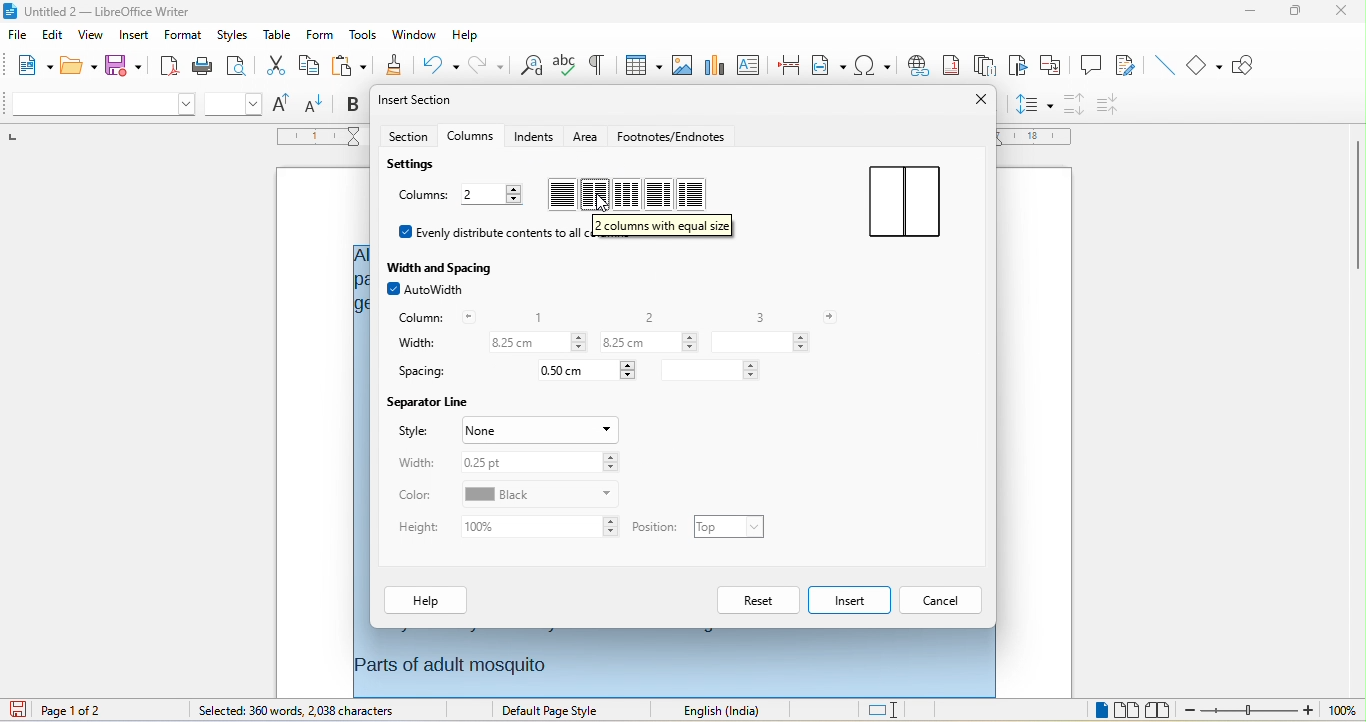 The width and height of the screenshot is (1366, 722). What do you see at coordinates (414, 34) in the screenshot?
I see `window` at bounding box center [414, 34].